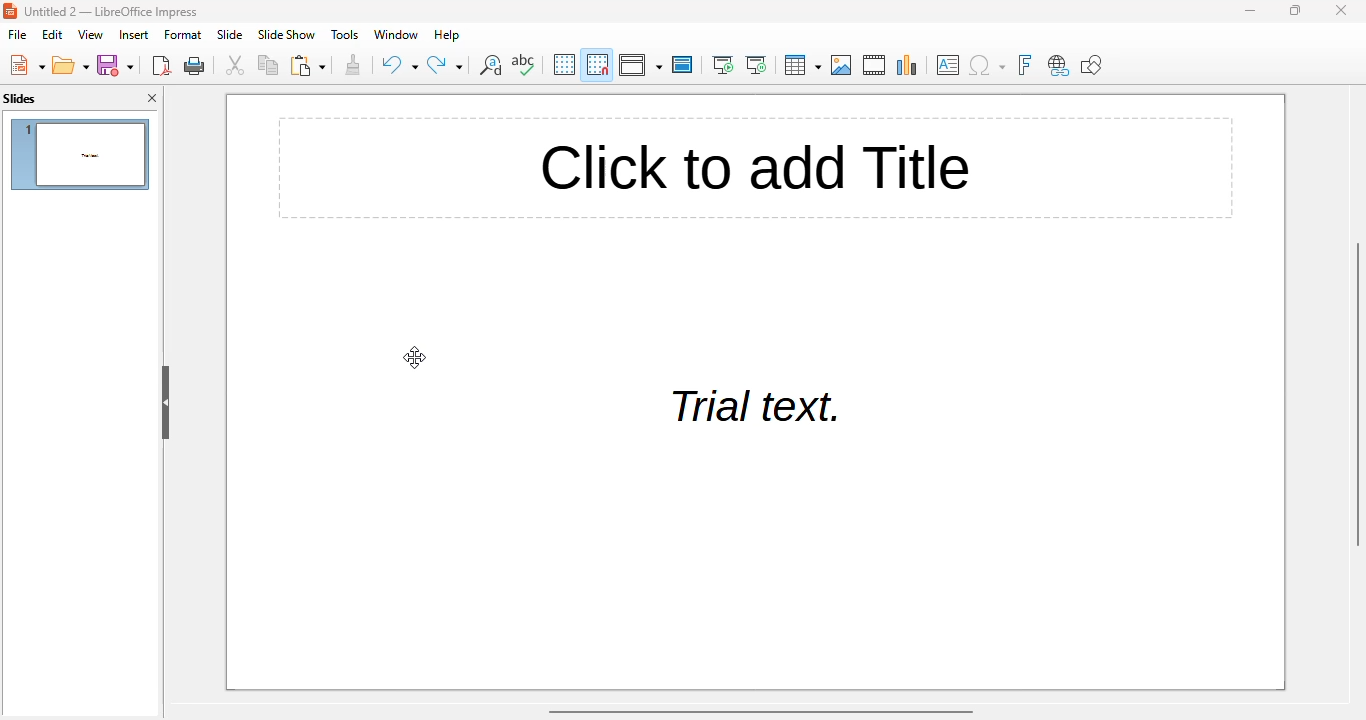 This screenshot has width=1366, height=720. What do you see at coordinates (1357, 392) in the screenshot?
I see `vertical scroll bar` at bounding box center [1357, 392].